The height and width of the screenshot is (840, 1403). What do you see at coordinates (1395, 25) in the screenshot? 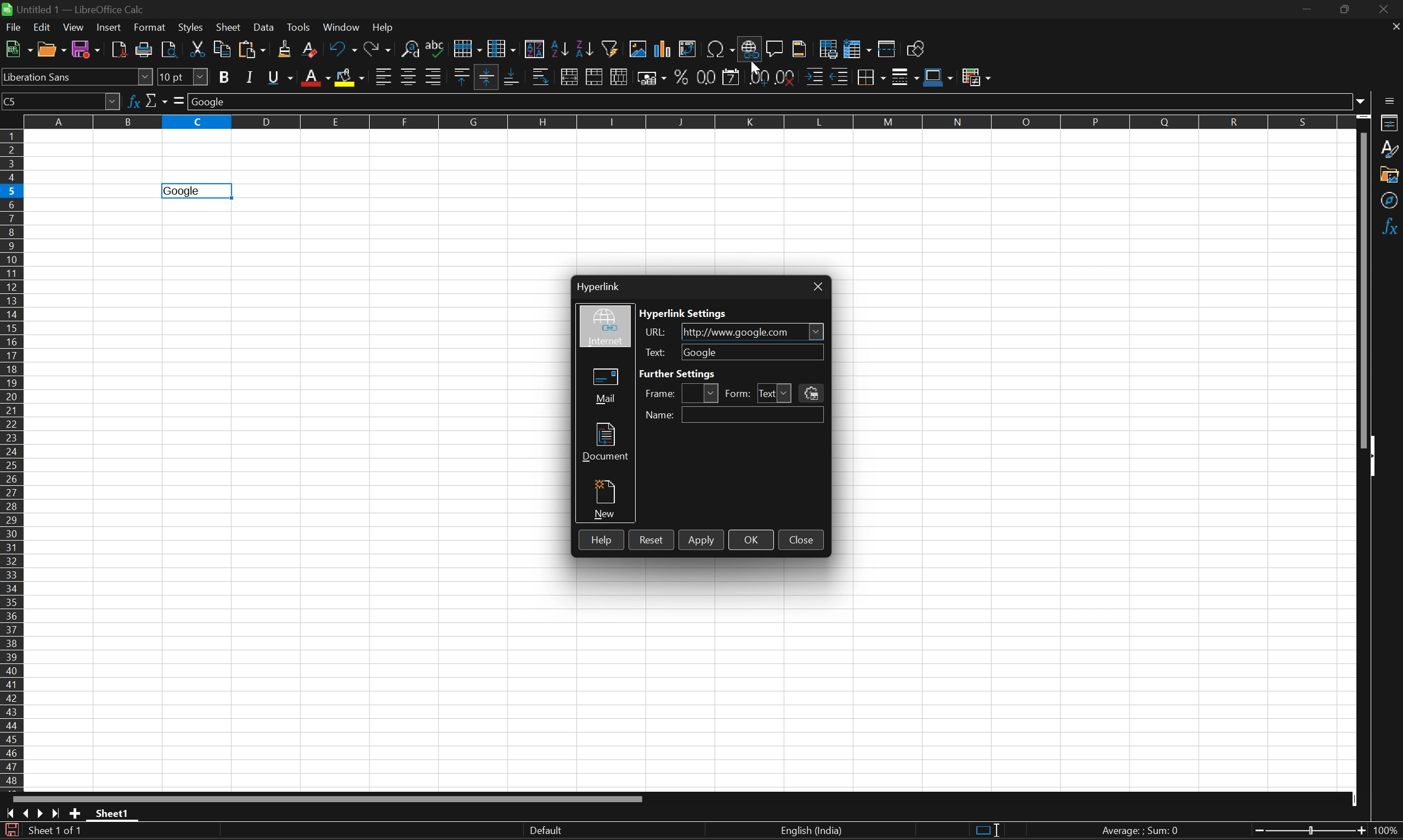
I see `Close document` at bounding box center [1395, 25].